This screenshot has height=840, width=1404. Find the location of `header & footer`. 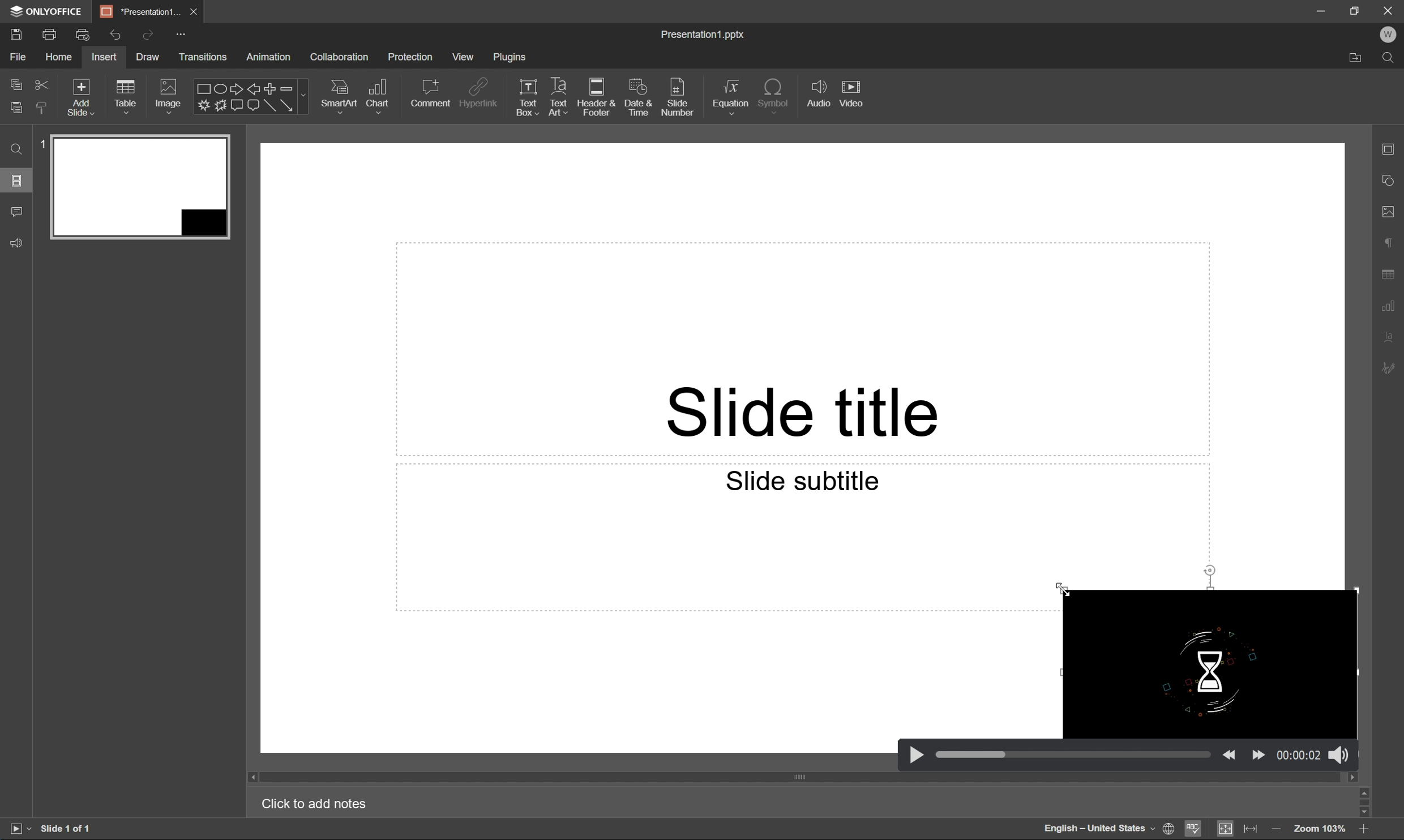

header & footer is located at coordinates (597, 98).